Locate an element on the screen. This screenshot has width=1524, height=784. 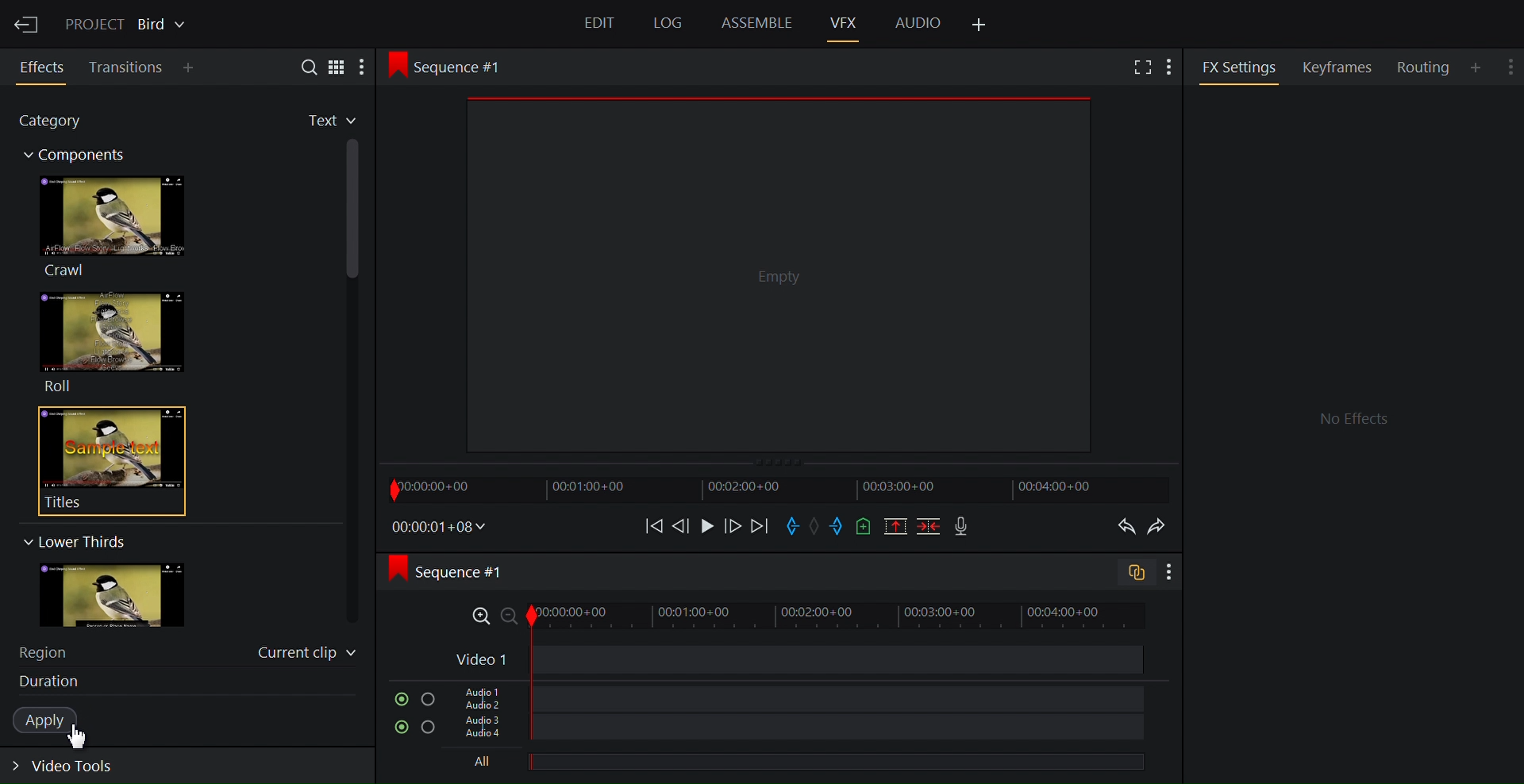
Audio Track 3, Audio Track 4 is located at coordinates (796, 731).